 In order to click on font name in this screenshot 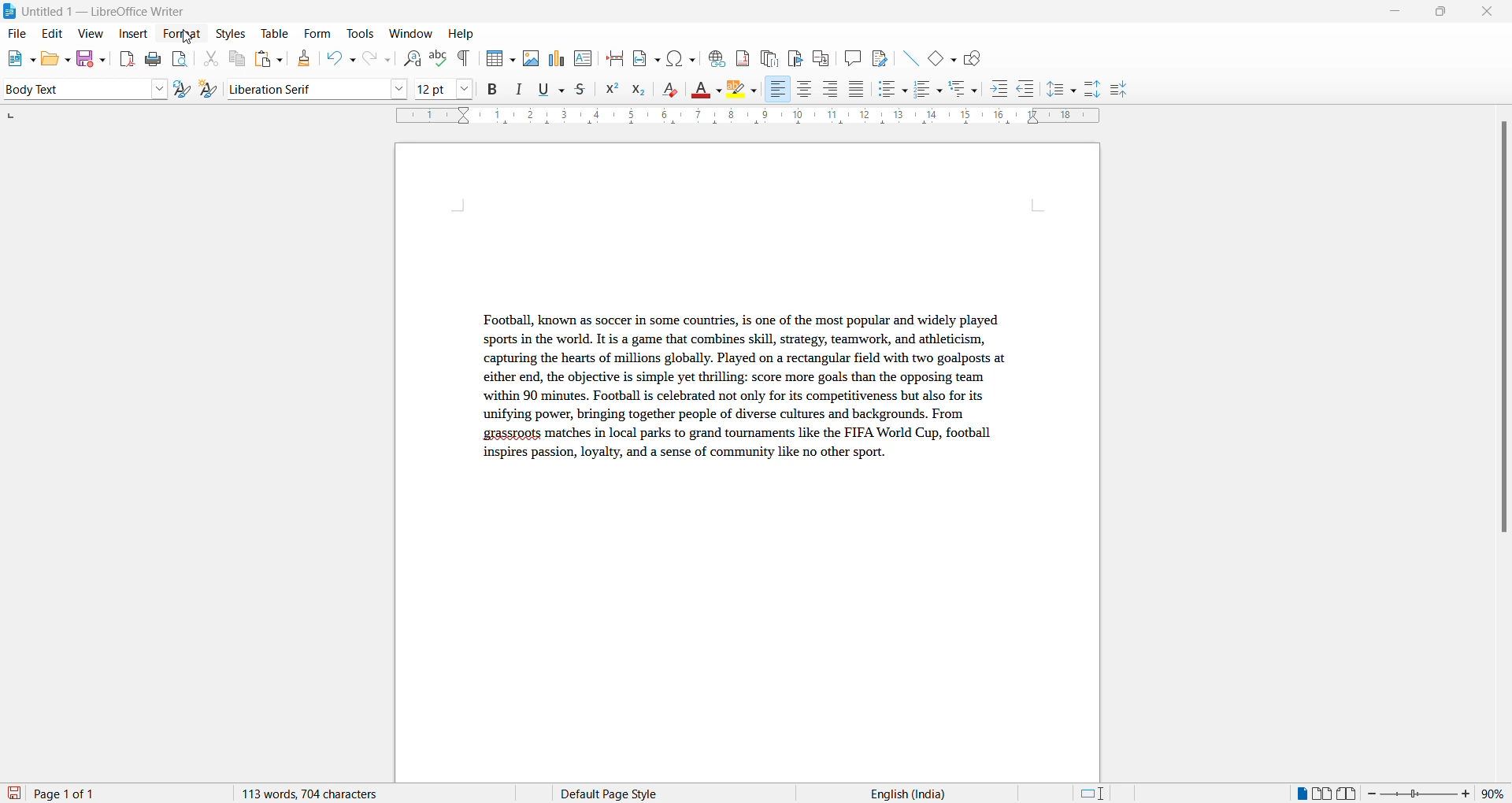, I will do `click(304, 88)`.